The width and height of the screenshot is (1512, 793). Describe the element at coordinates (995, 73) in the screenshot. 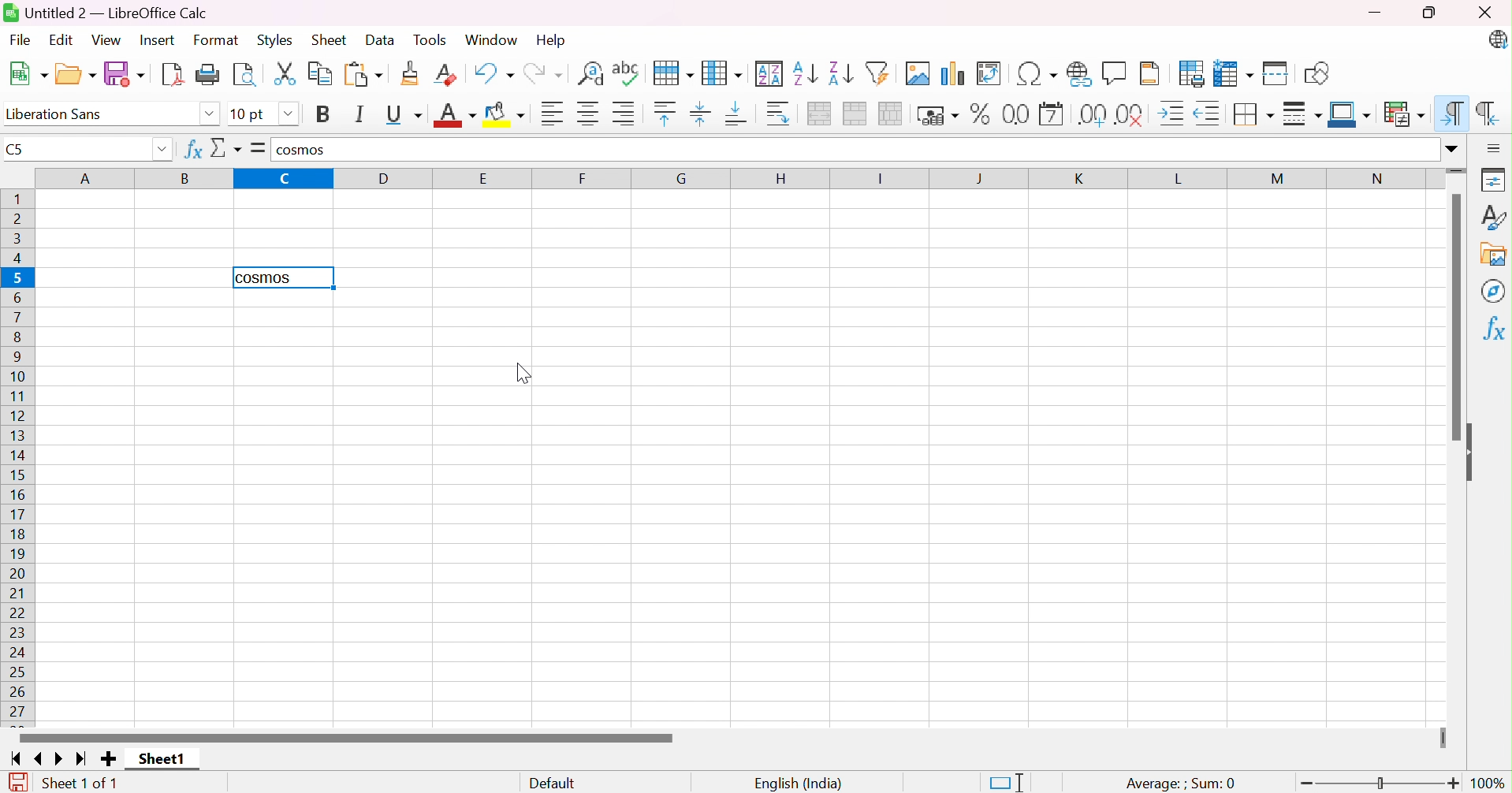

I see `Insert or Edit Pivot Table` at that location.